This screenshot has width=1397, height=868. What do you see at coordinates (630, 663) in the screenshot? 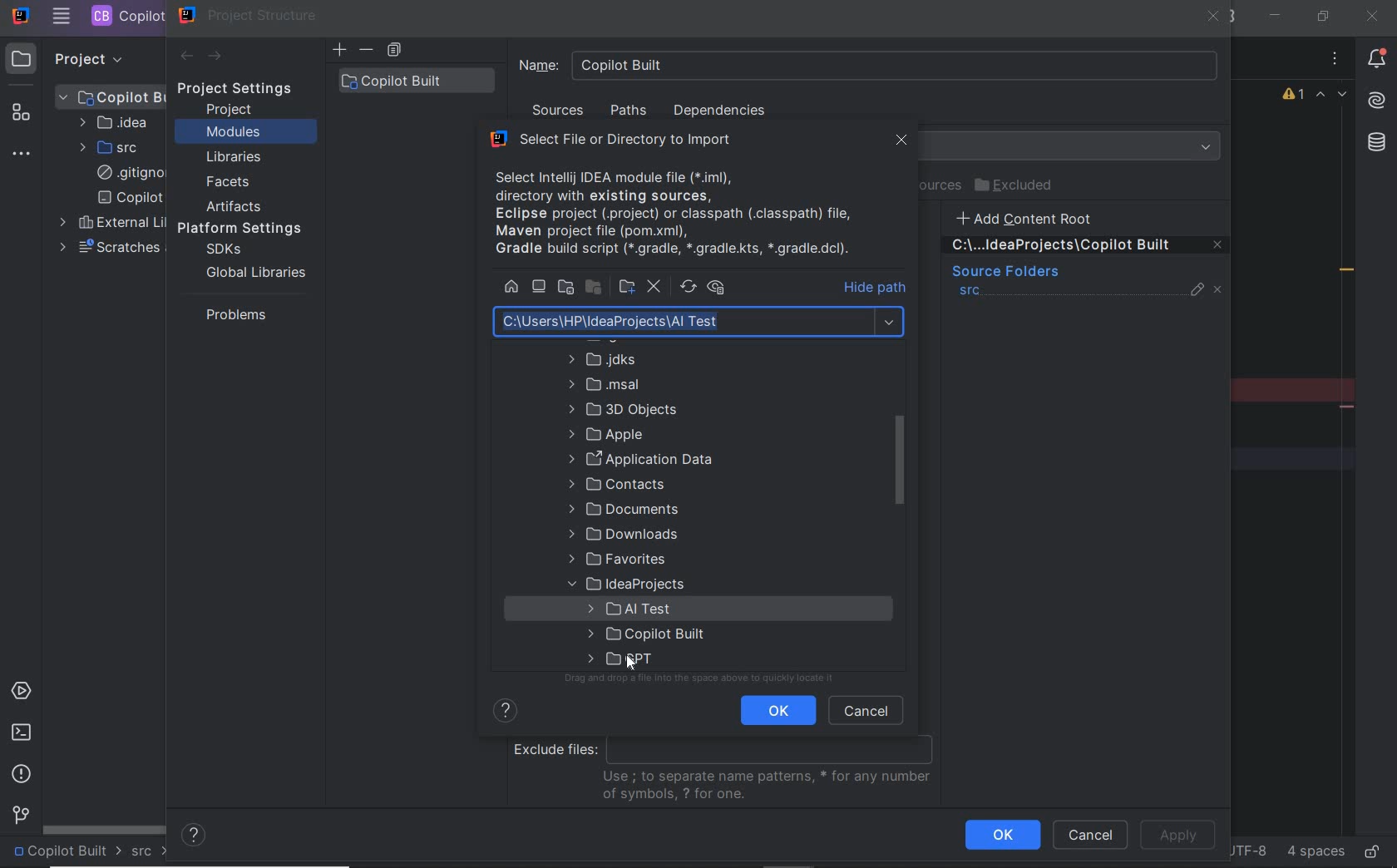
I see `cursor` at bounding box center [630, 663].